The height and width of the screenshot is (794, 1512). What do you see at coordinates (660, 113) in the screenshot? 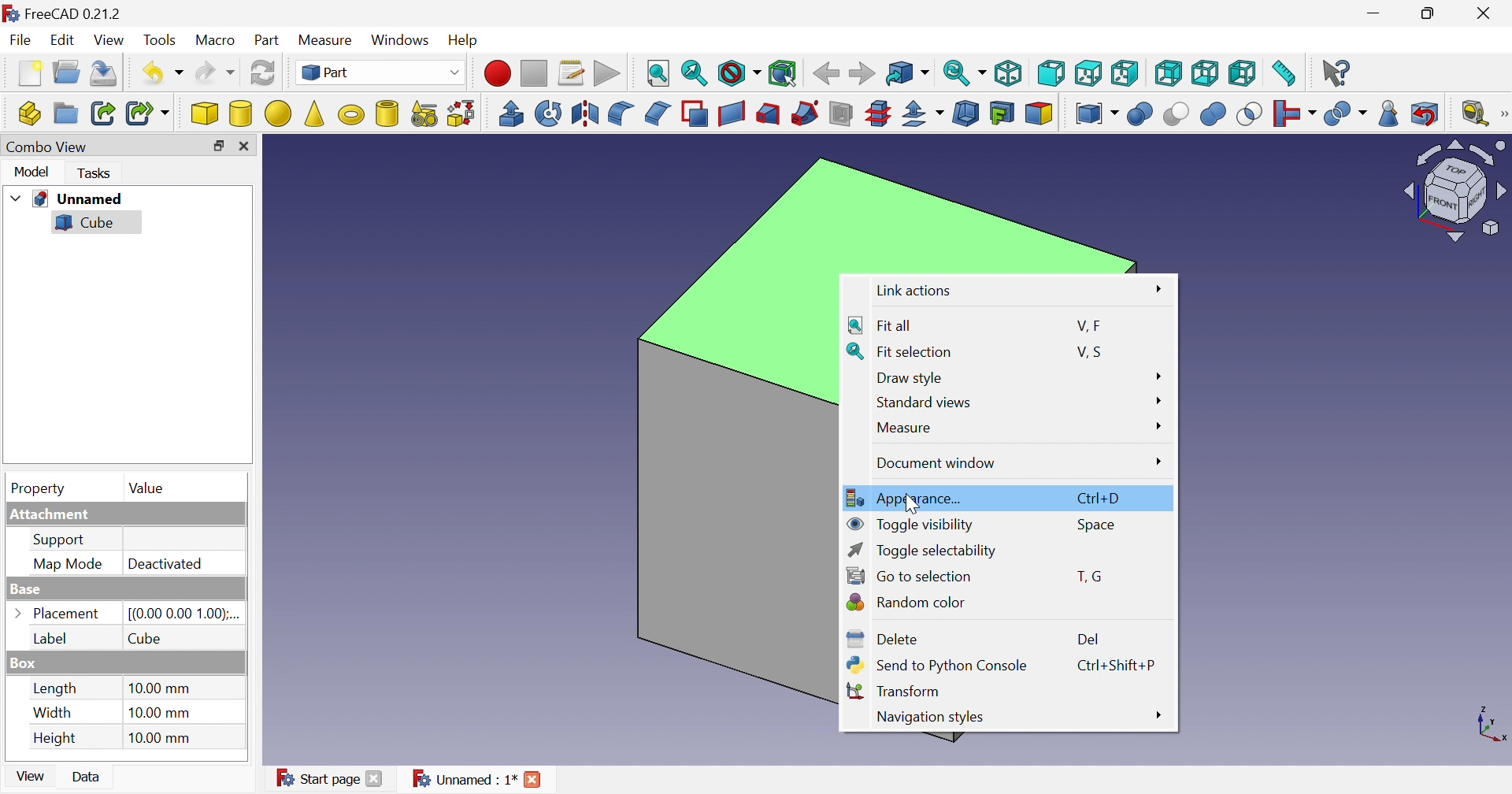
I see `Chamfer` at bounding box center [660, 113].